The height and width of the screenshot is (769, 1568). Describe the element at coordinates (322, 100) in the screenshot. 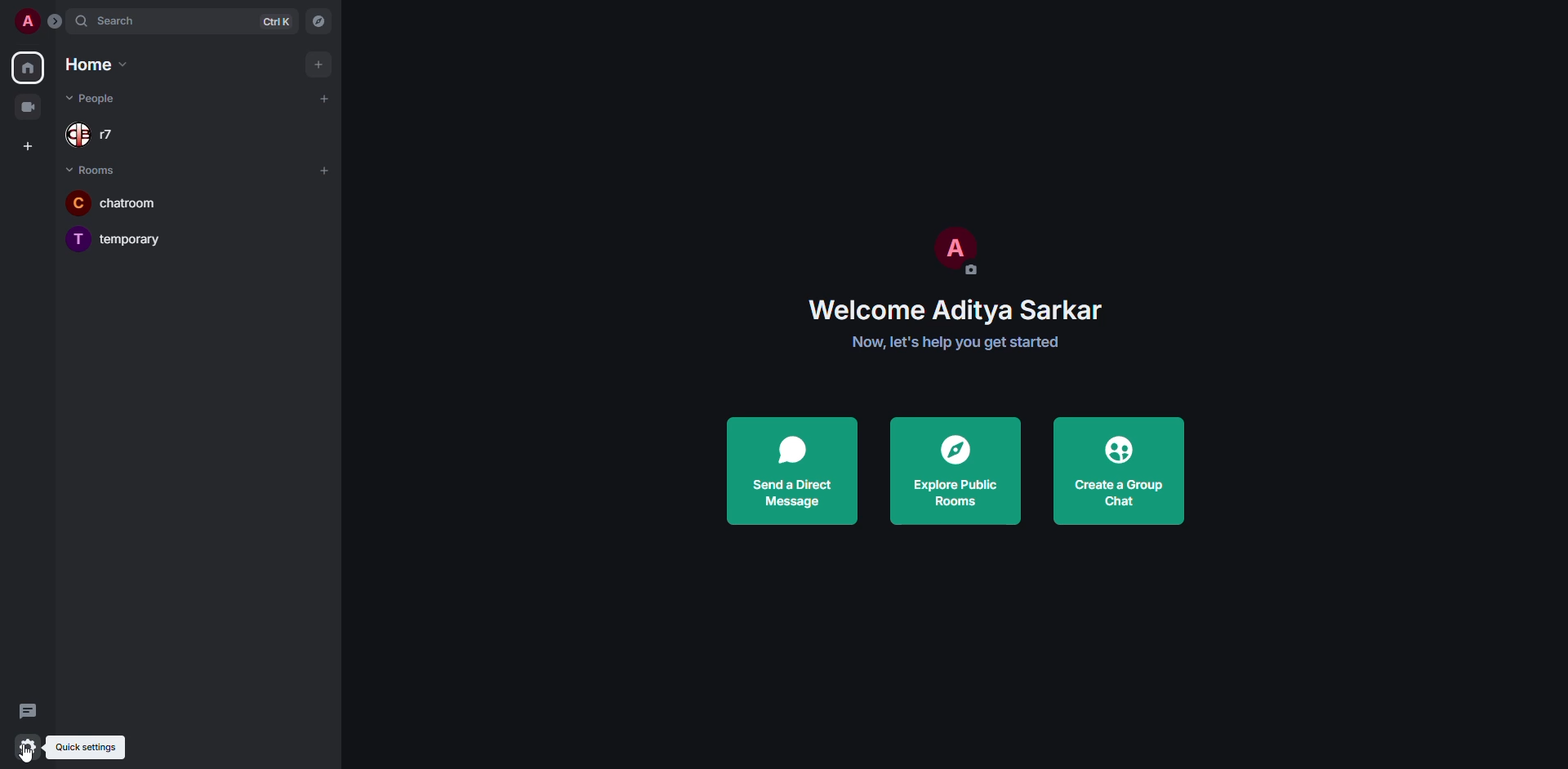

I see `add` at that location.